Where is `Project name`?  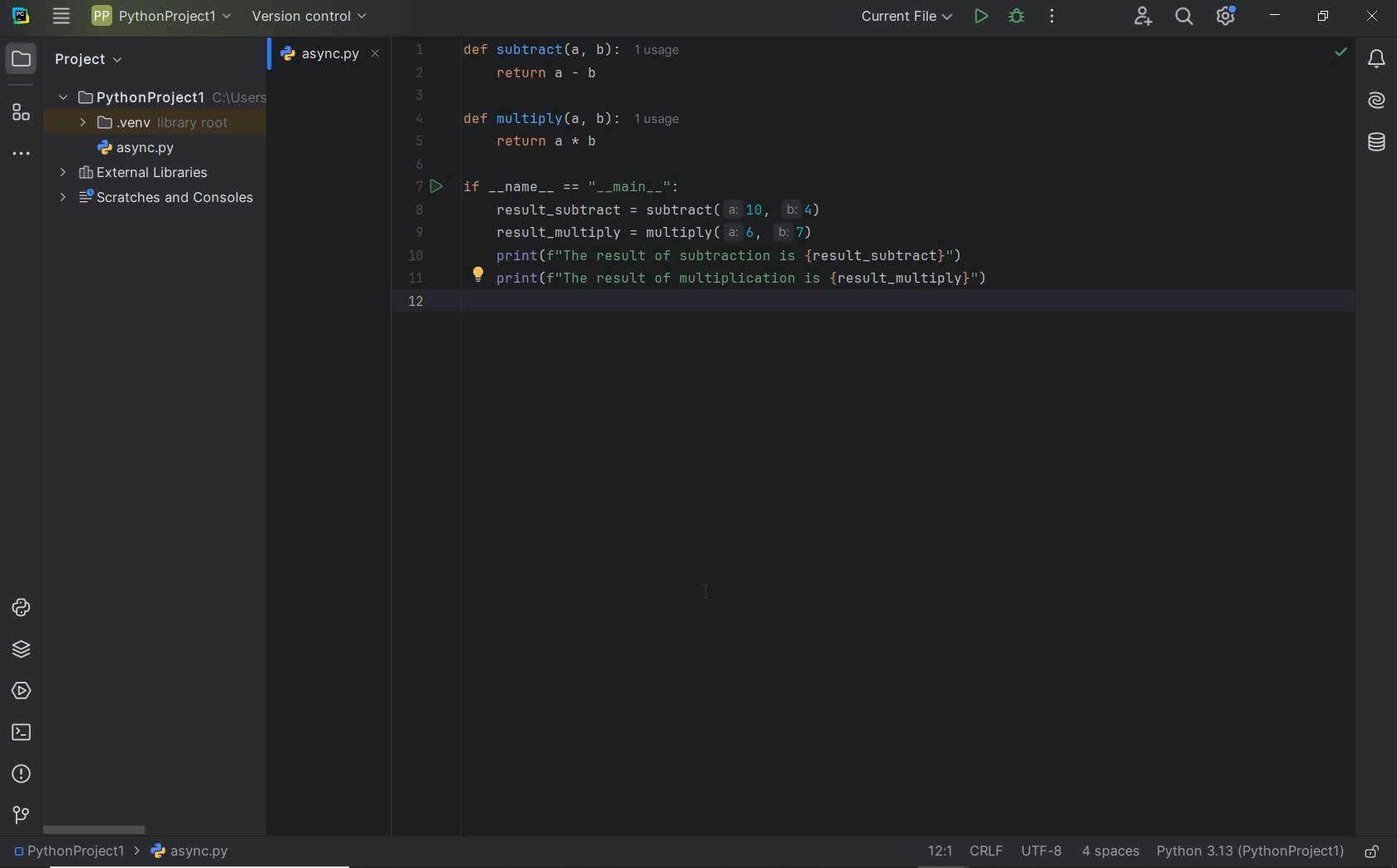 Project name is located at coordinates (161, 96).